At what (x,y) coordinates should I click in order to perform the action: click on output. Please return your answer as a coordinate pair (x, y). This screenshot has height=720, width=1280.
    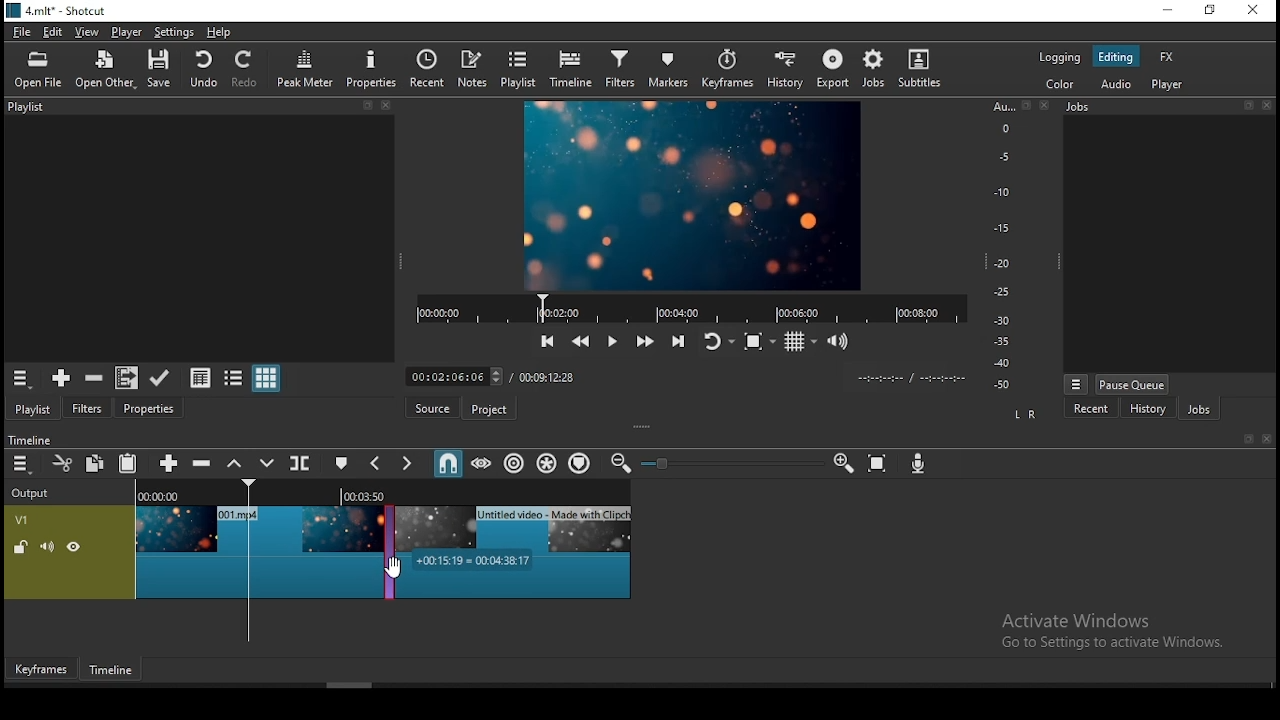
    Looking at the image, I should click on (33, 494).